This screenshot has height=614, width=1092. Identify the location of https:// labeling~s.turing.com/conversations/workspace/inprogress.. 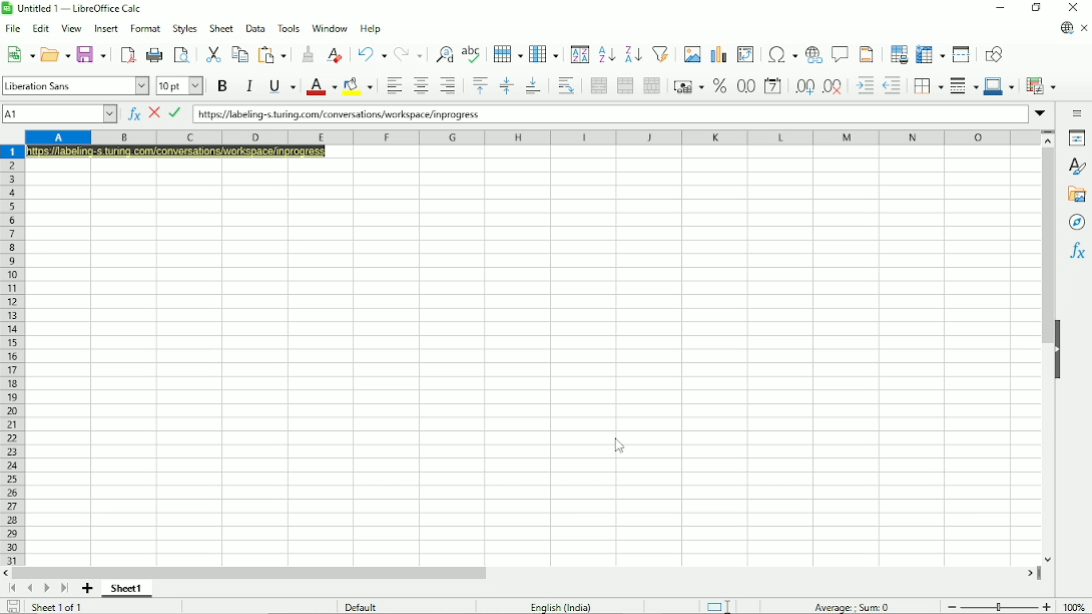
(348, 115).